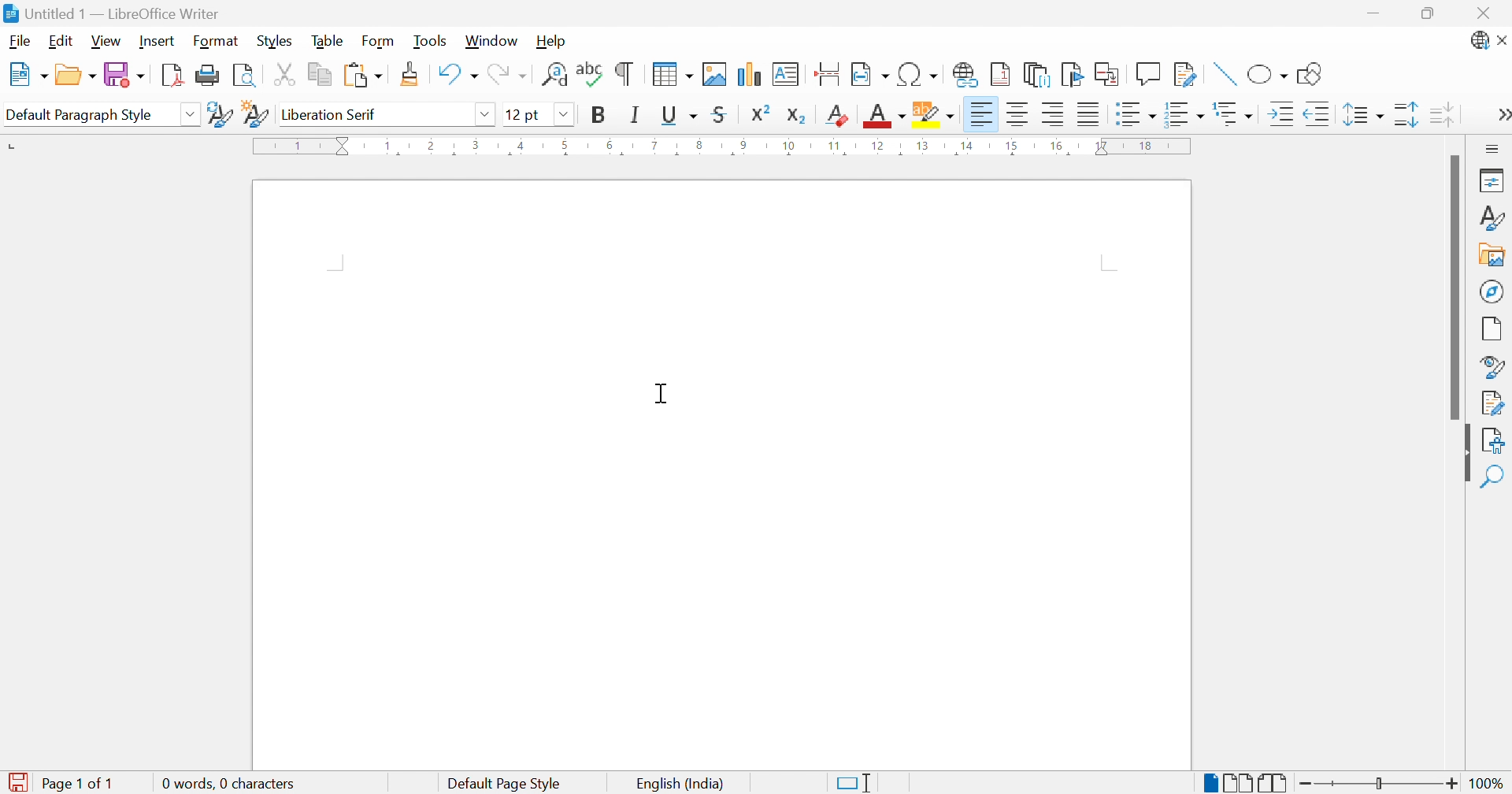 This screenshot has height=794, width=1512. Describe the element at coordinates (1491, 222) in the screenshot. I see `Styles` at that location.